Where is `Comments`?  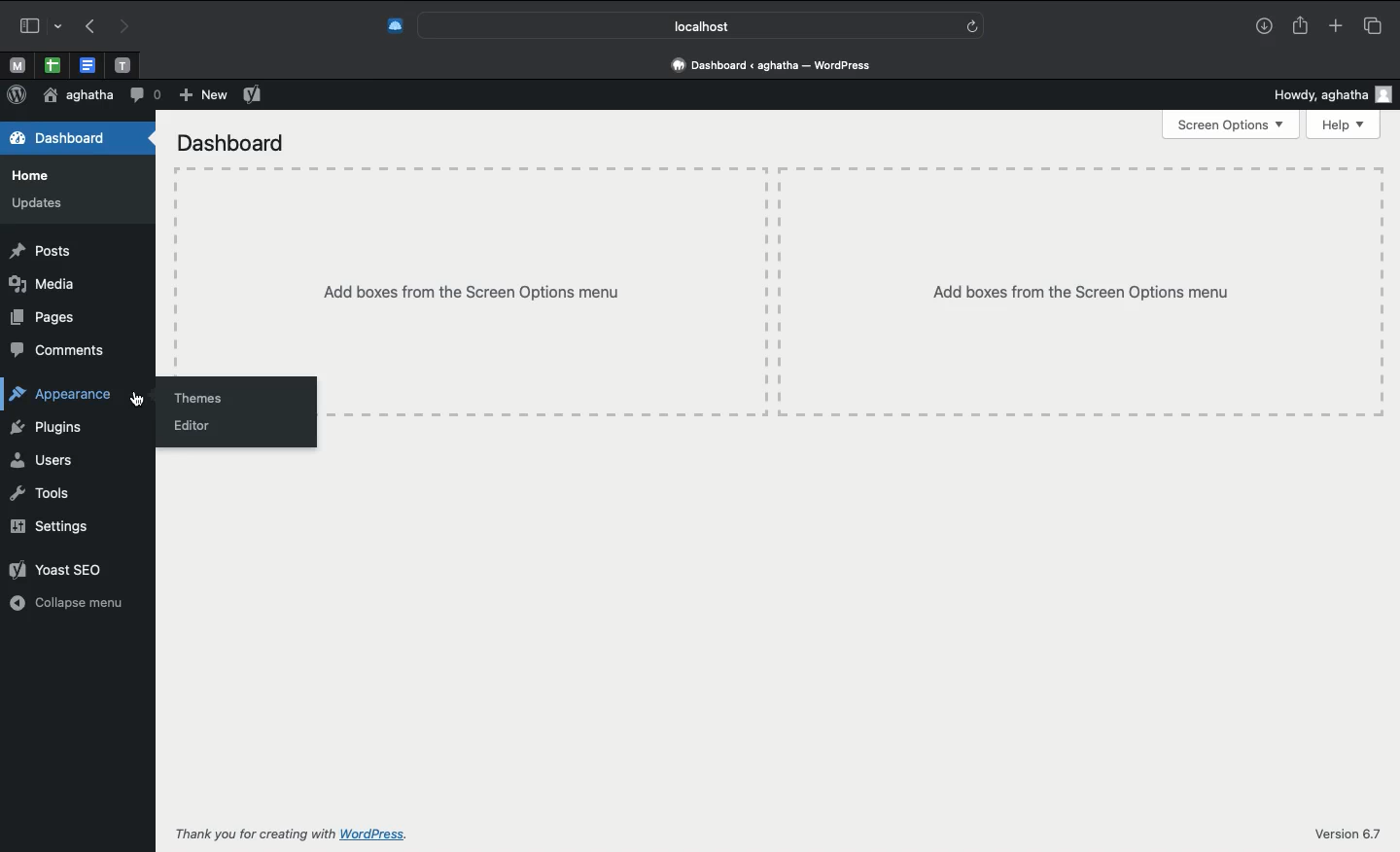
Comments is located at coordinates (53, 350).